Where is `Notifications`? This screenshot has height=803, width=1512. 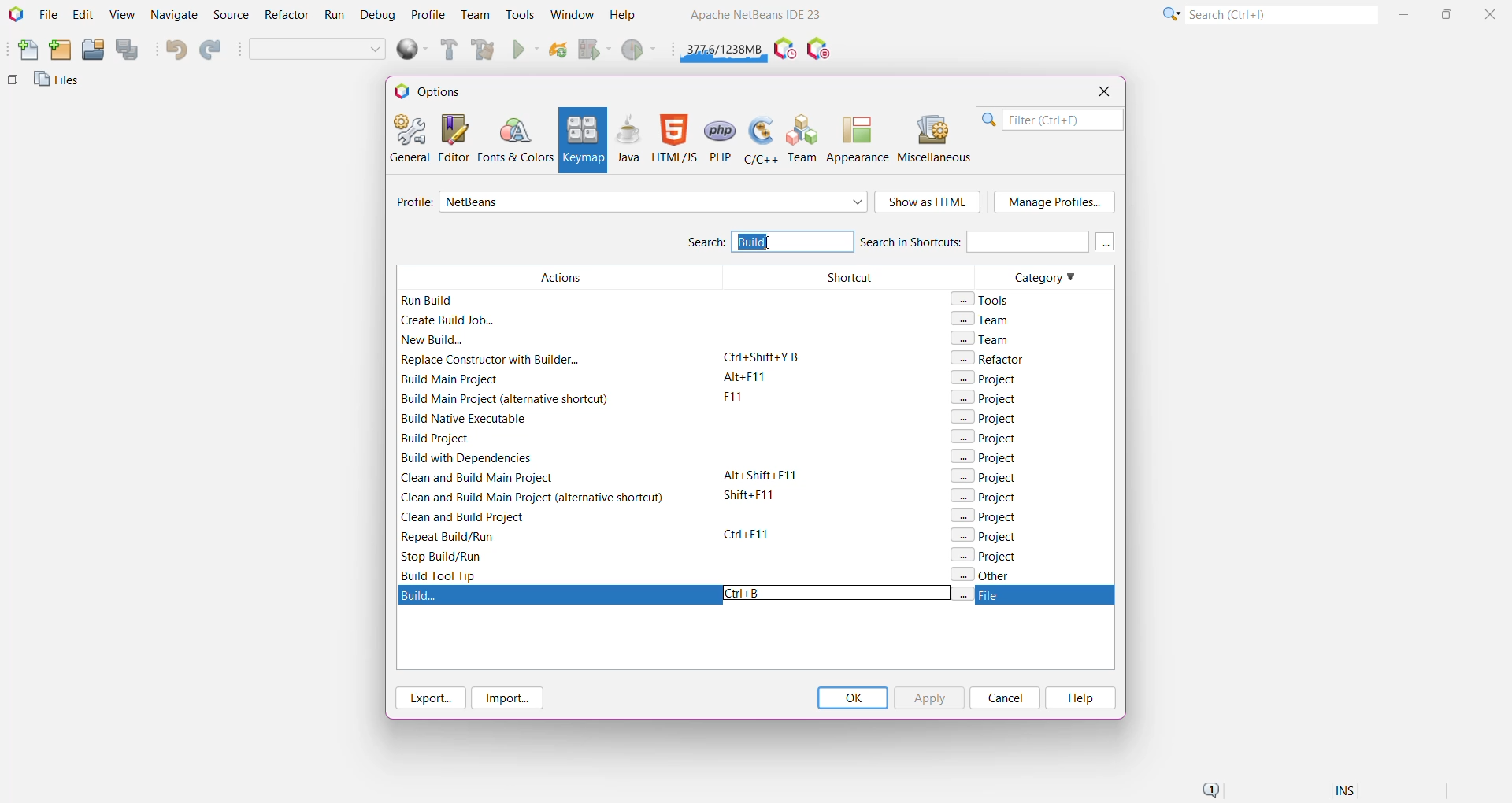
Notifications is located at coordinates (1210, 791).